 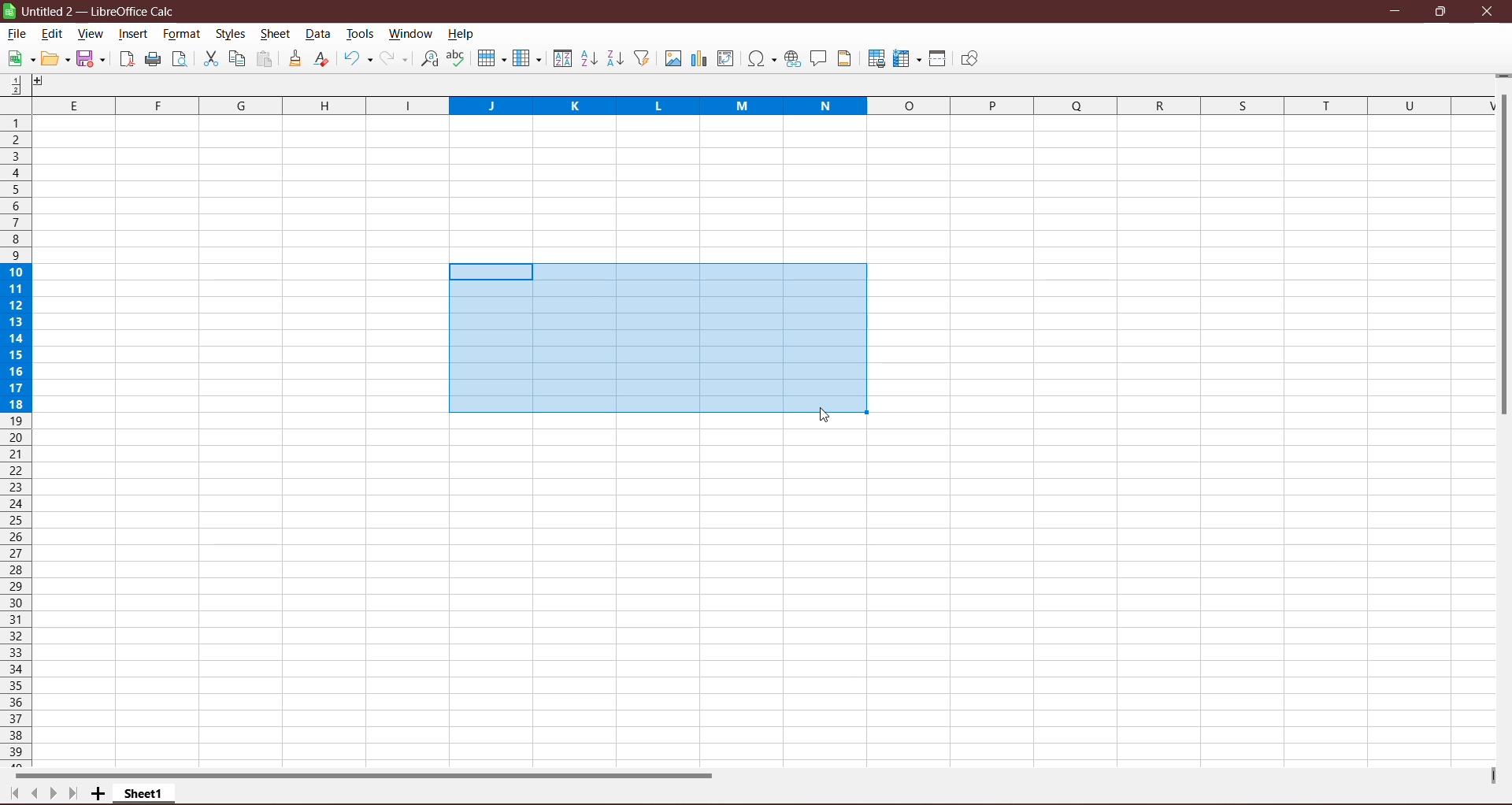 What do you see at coordinates (374, 774) in the screenshot?
I see `Horizontal Scroll Bar` at bounding box center [374, 774].